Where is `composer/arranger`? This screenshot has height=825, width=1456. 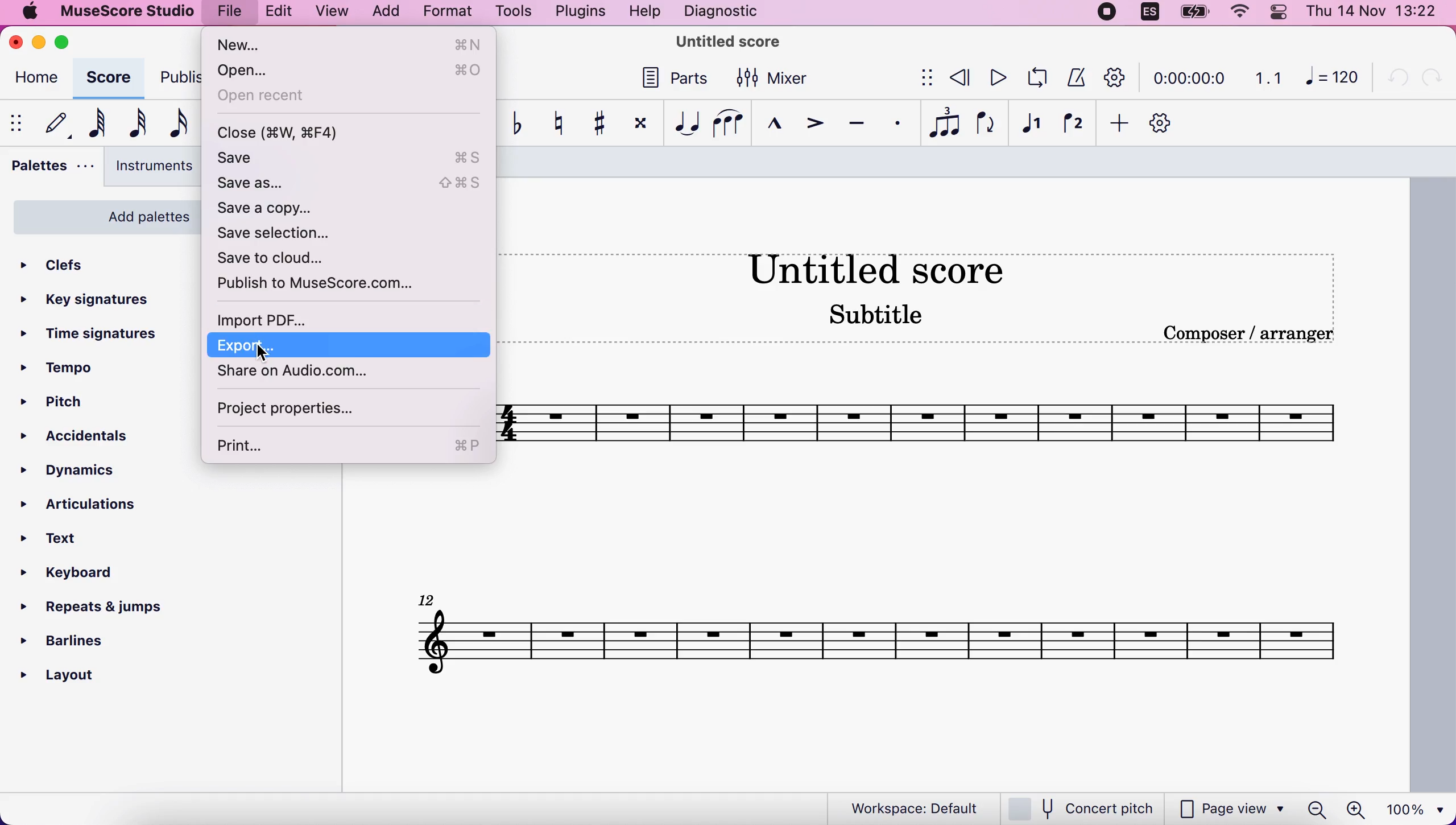
composer/arranger is located at coordinates (1250, 335).